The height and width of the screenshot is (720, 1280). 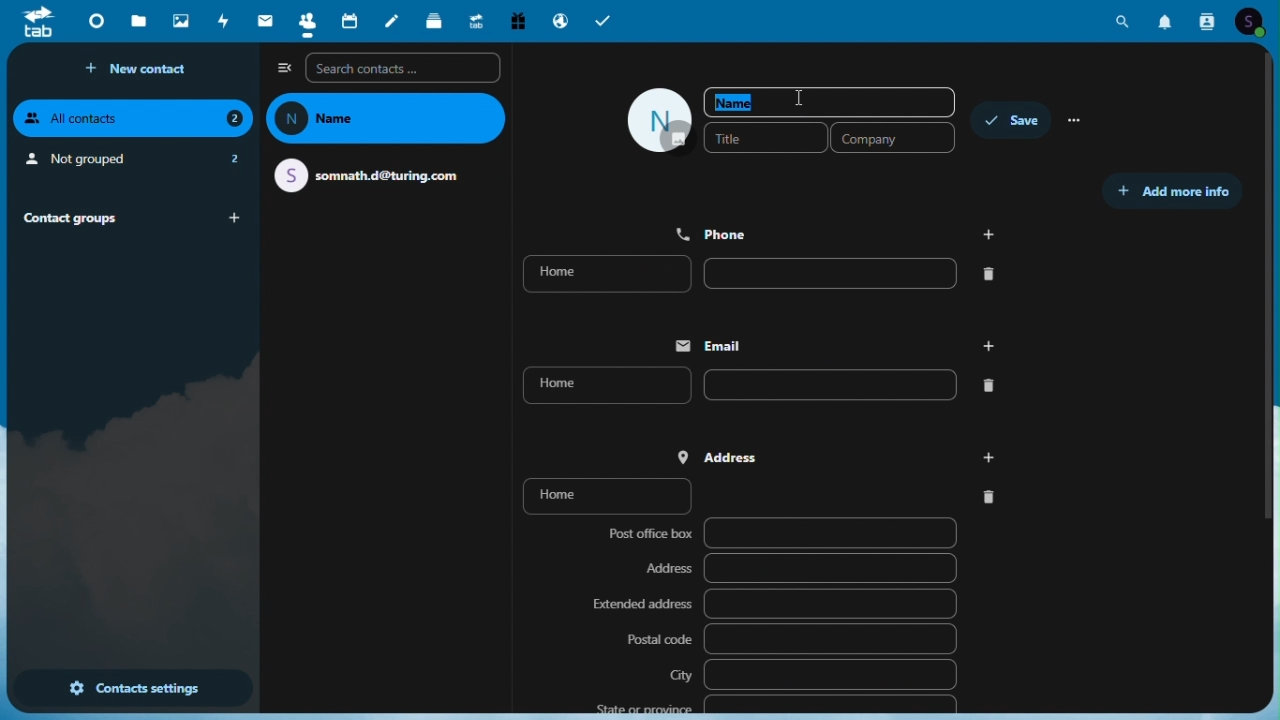 What do you see at coordinates (303, 22) in the screenshot?
I see `Contacts` at bounding box center [303, 22].